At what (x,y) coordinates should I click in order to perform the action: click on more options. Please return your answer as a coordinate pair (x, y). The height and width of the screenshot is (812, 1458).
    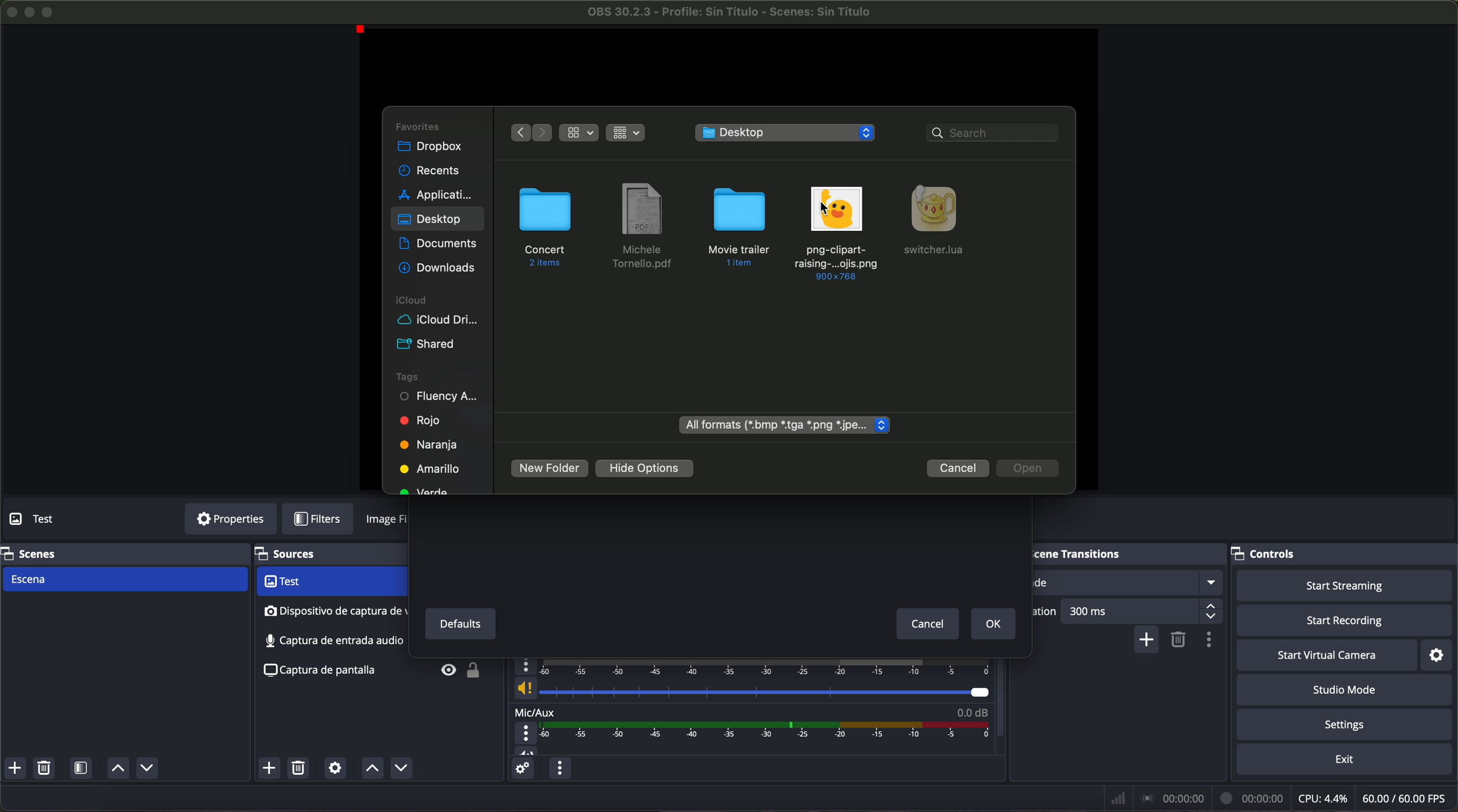
    Looking at the image, I should click on (527, 733).